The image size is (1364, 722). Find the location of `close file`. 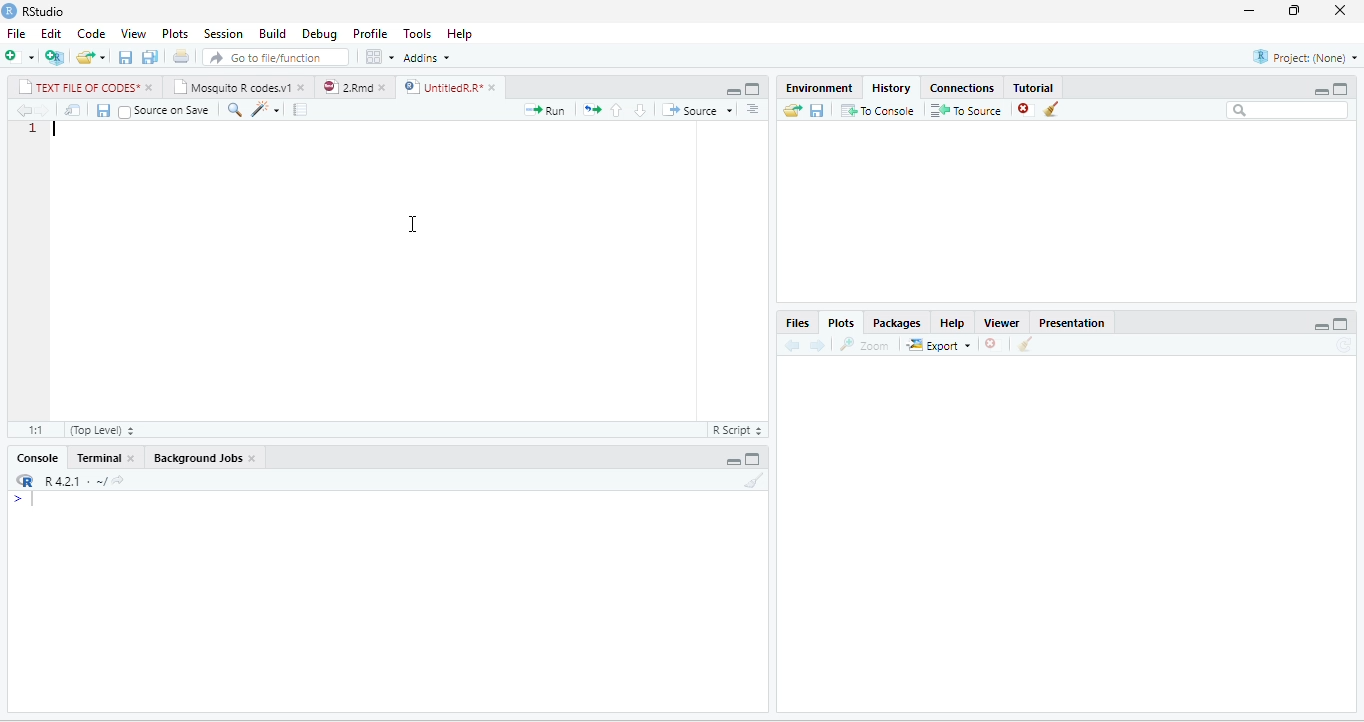

close file is located at coordinates (996, 344).